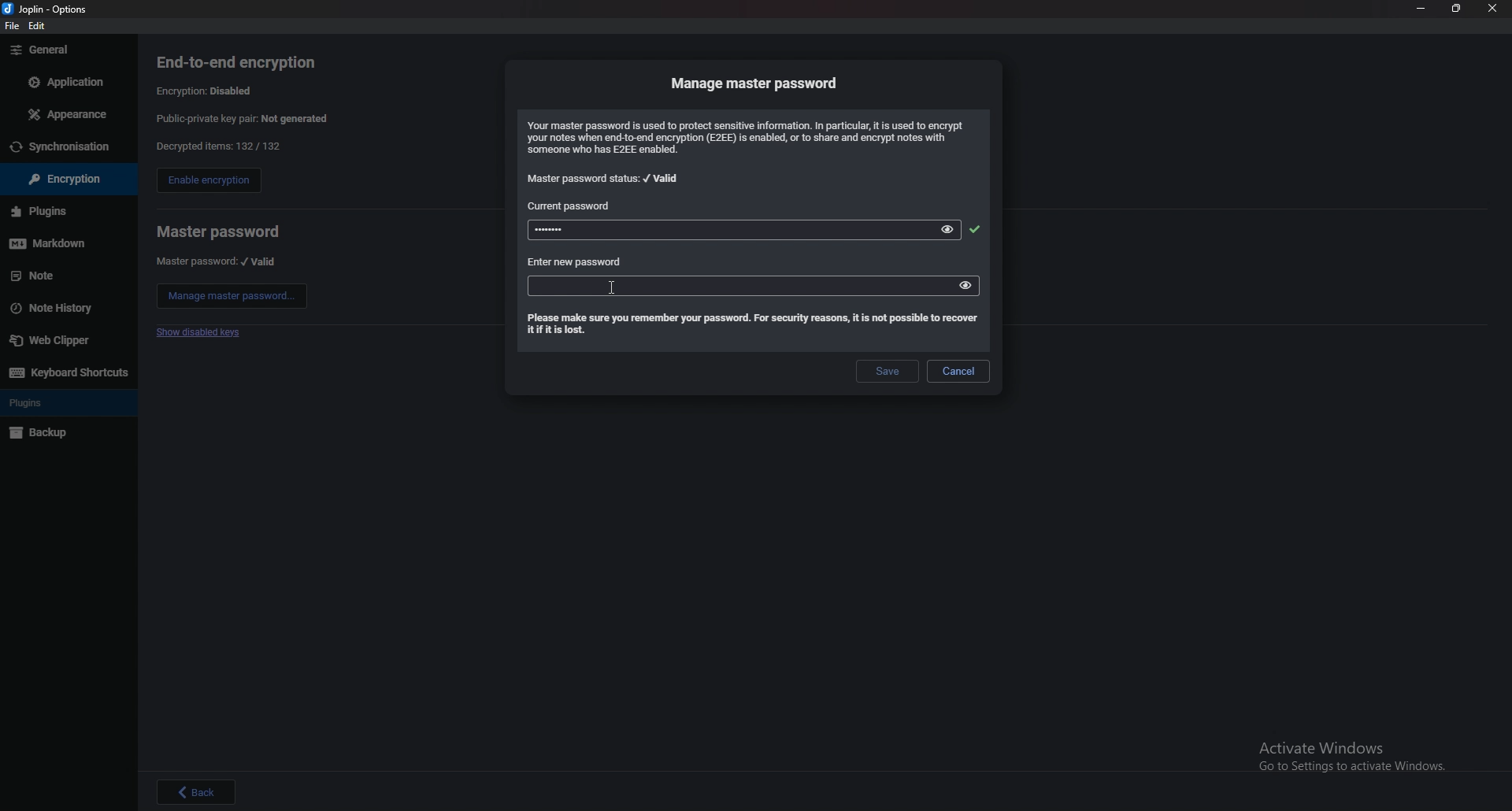 This screenshot has width=1512, height=811. I want to click on sync, so click(67, 147).